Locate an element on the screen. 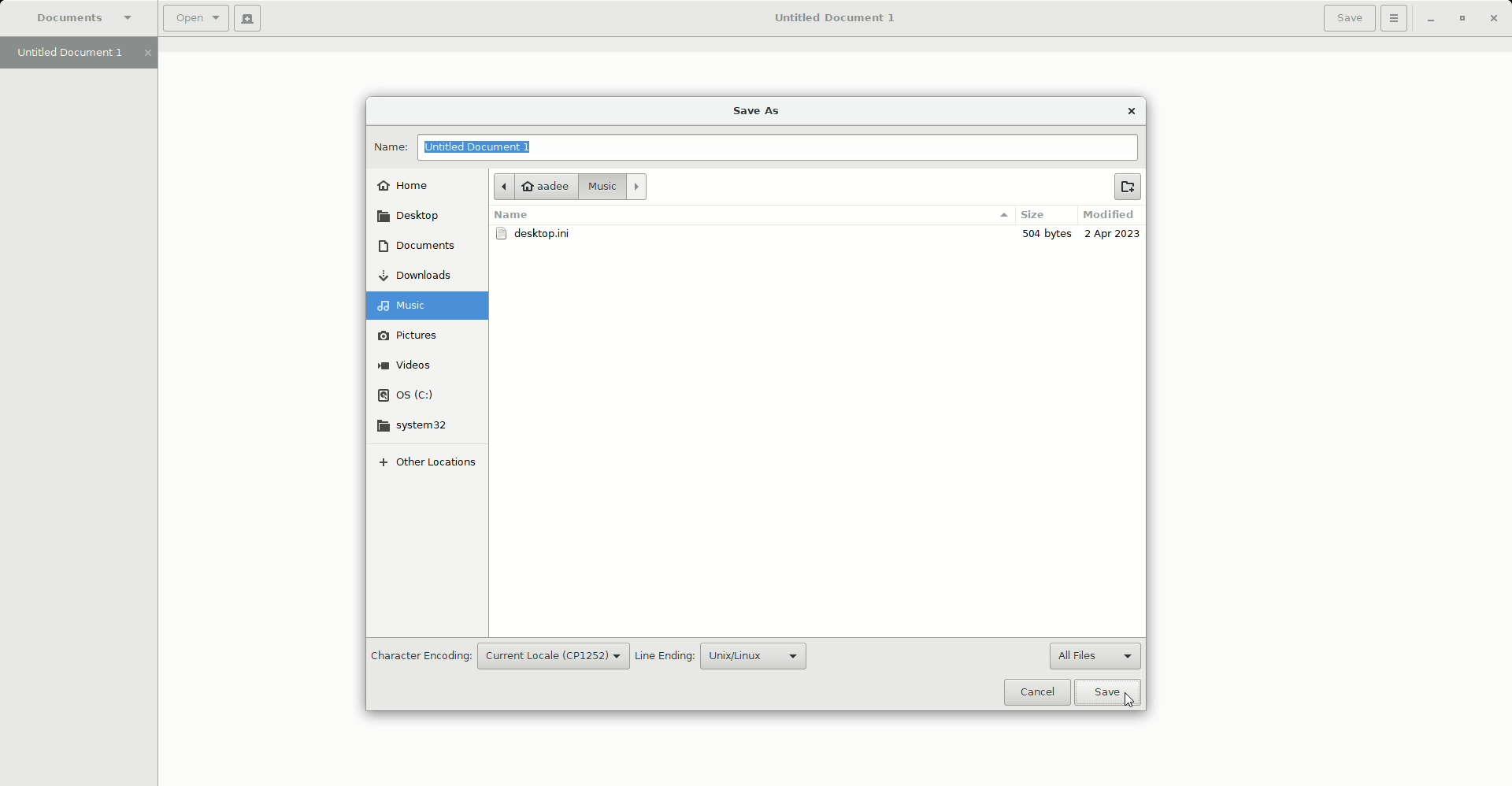 Image resolution: width=1512 pixels, height=786 pixels. system32 is located at coordinates (427, 425).